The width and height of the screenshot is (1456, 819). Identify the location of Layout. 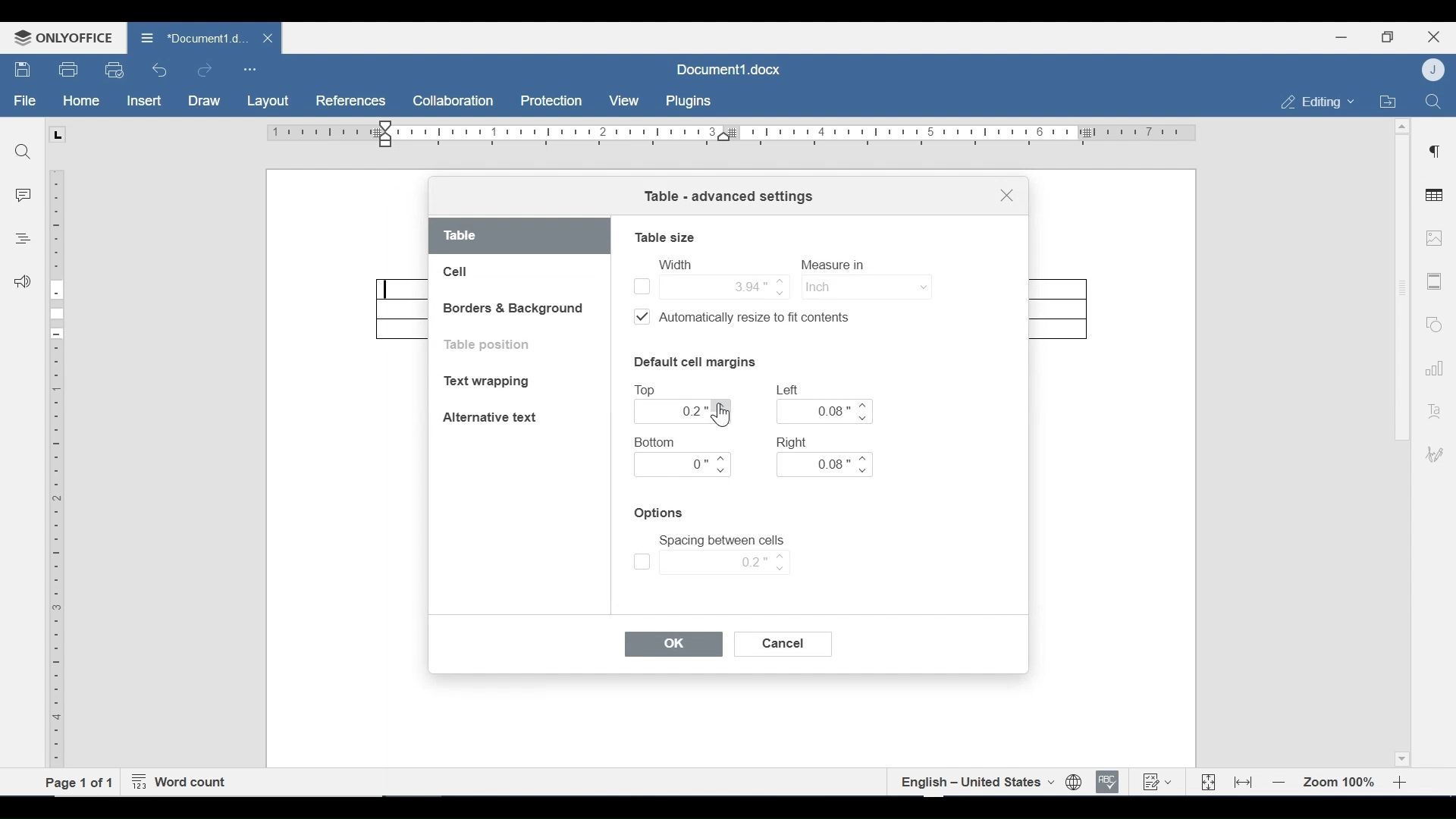
(268, 102).